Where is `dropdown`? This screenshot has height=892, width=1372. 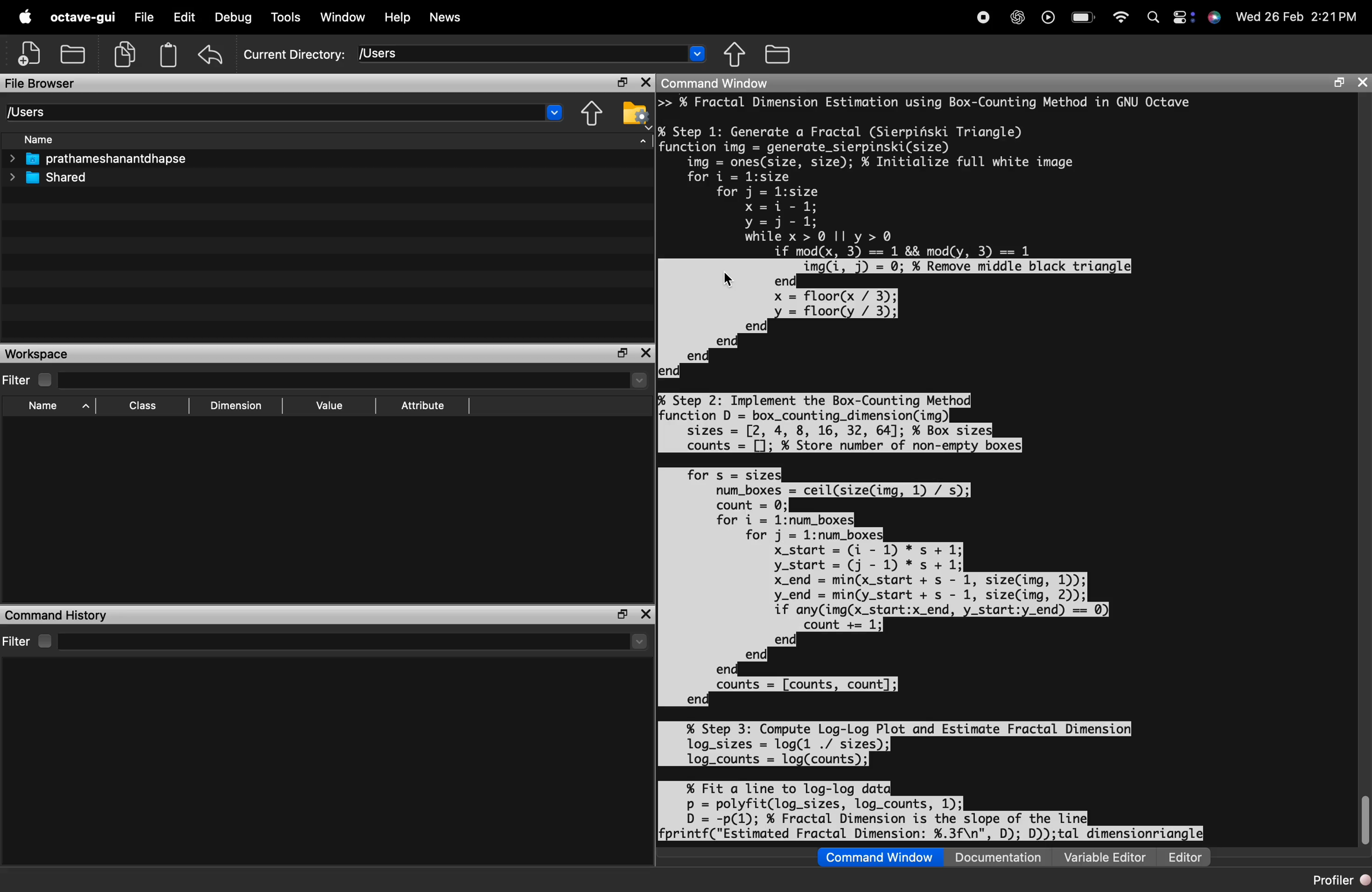
dropdown is located at coordinates (639, 382).